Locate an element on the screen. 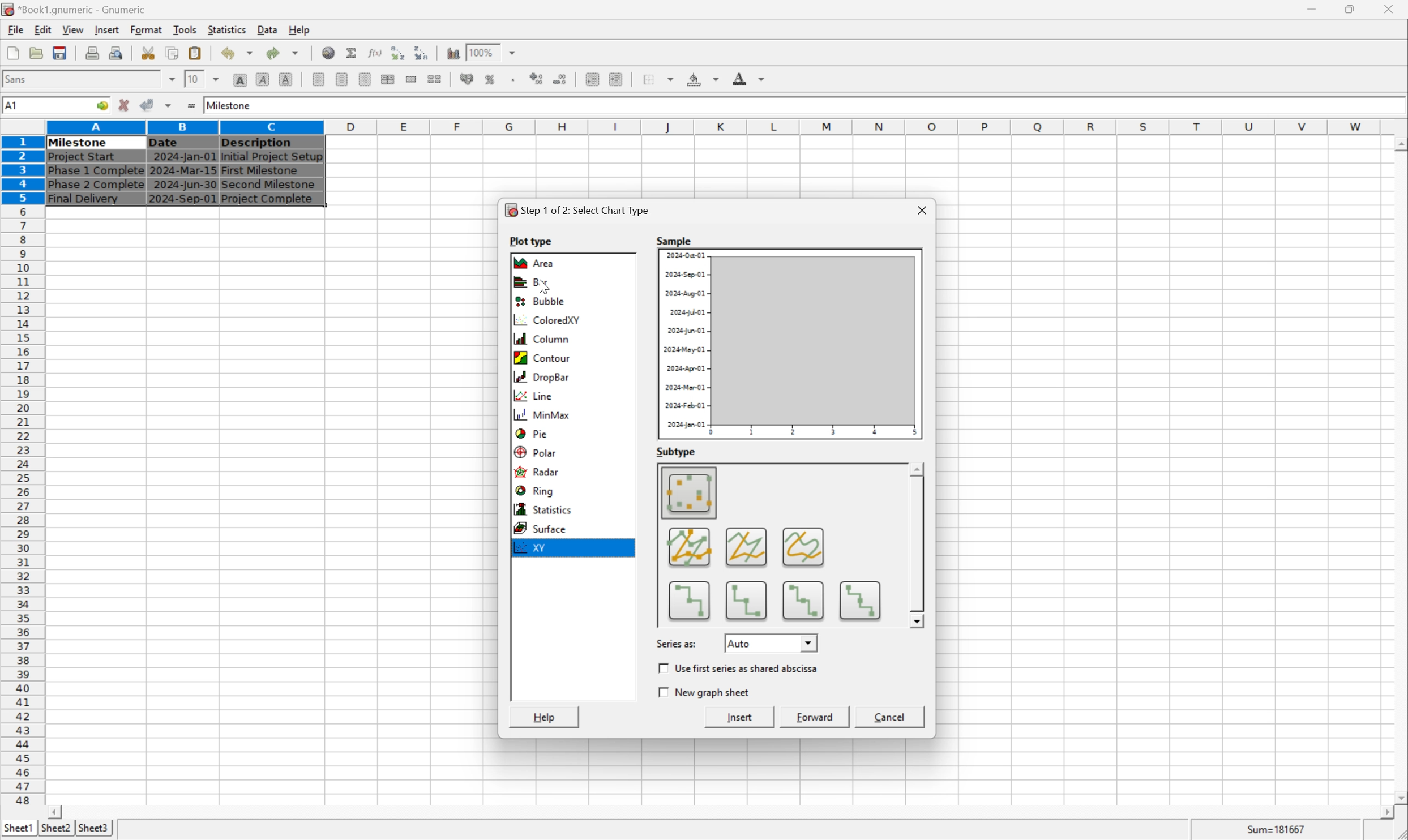 Image resolution: width=1408 pixels, height=840 pixels. file is located at coordinates (15, 30).